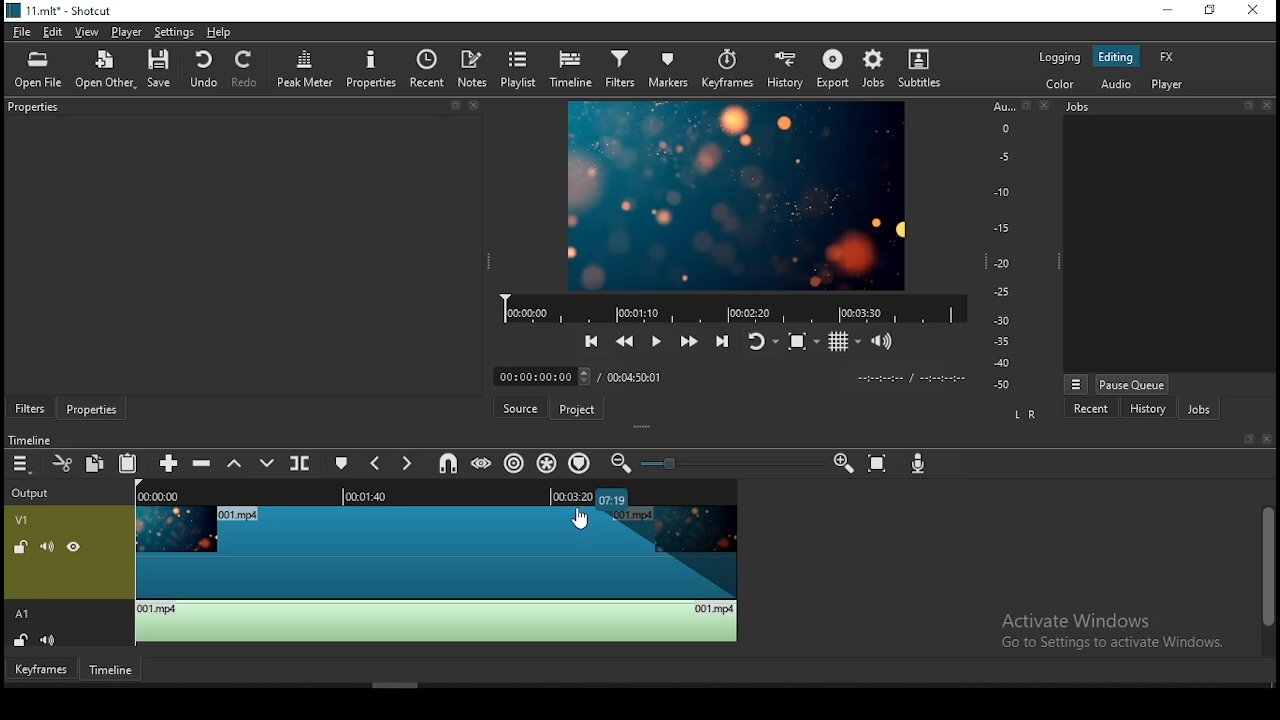  What do you see at coordinates (54, 32) in the screenshot?
I see `edit` at bounding box center [54, 32].